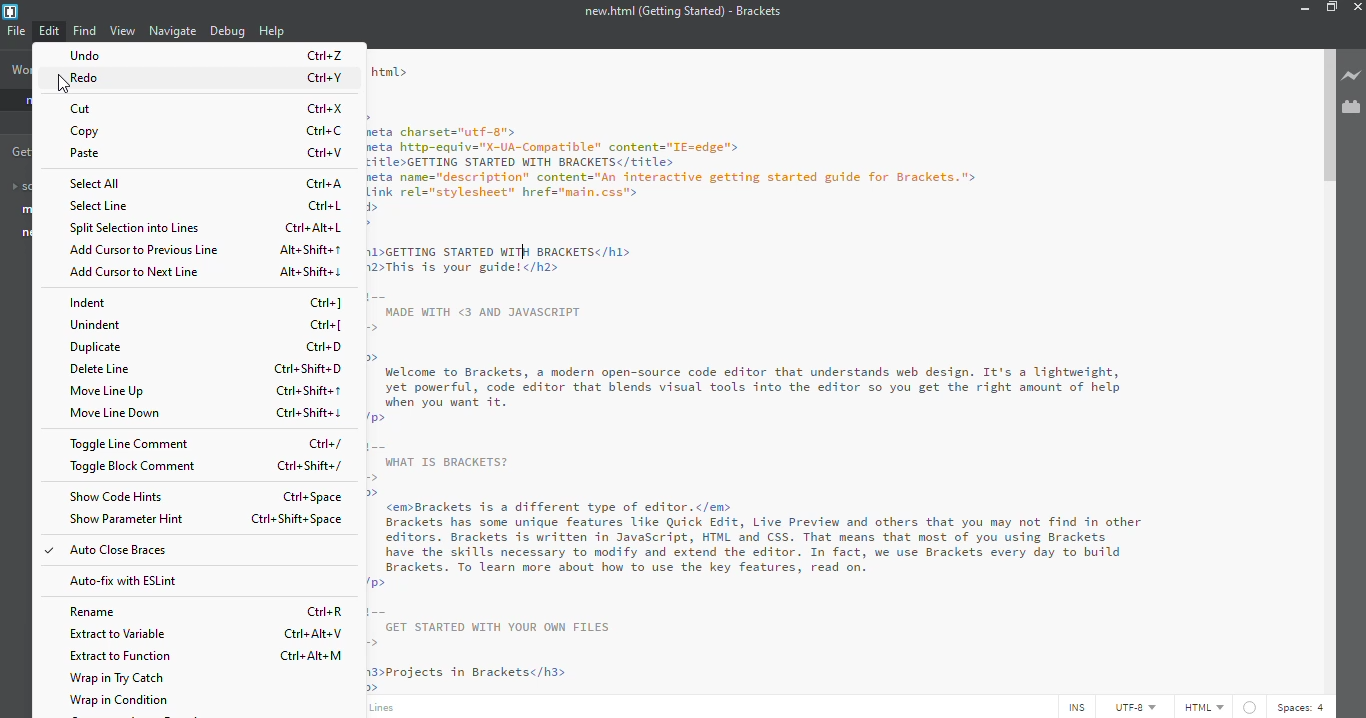  Describe the element at coordinates (328, 326) in the screenshot. I see `ctrl+[` at that location.